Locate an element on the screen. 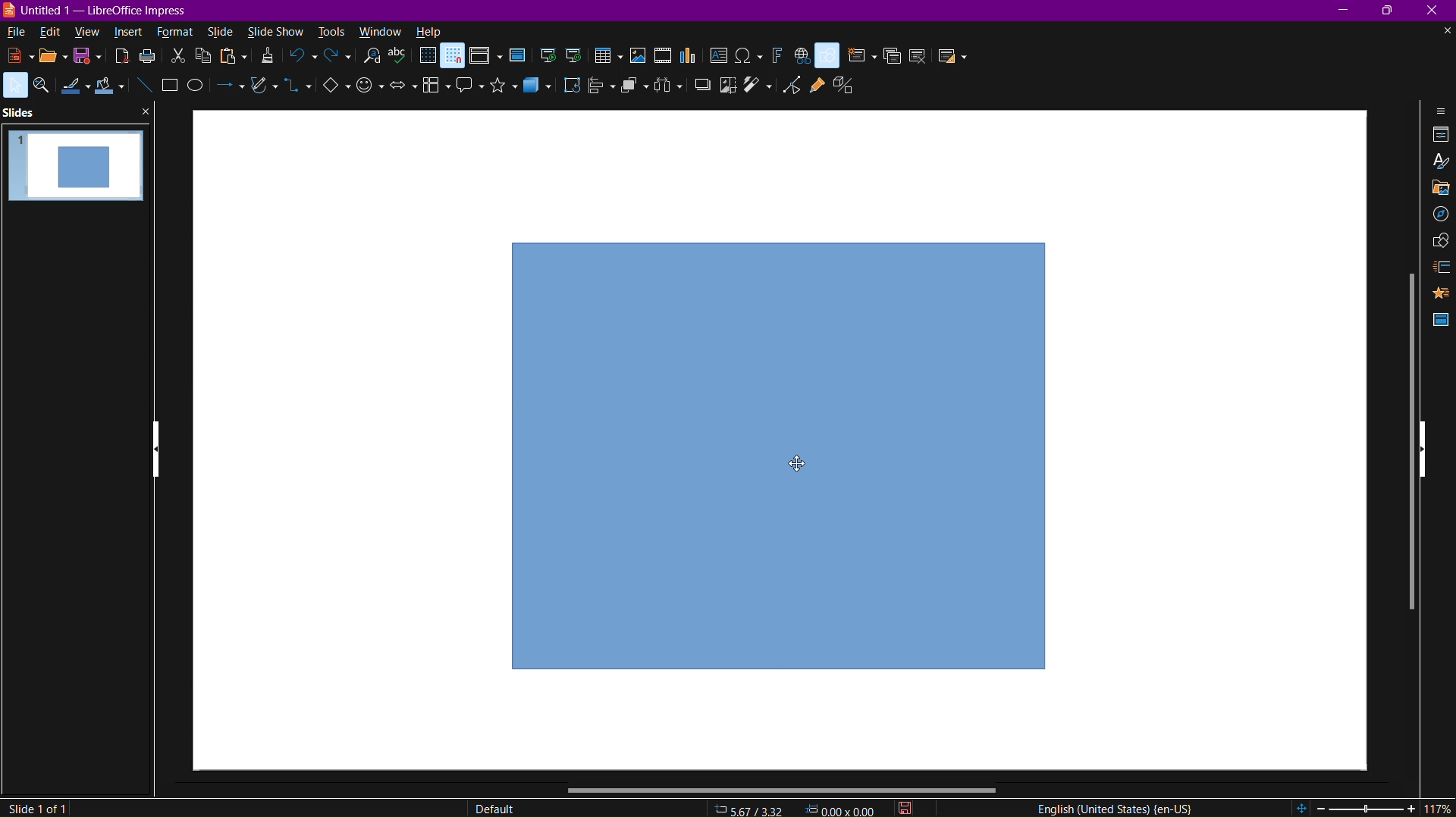  Copy is located at coordinates (206, 58).